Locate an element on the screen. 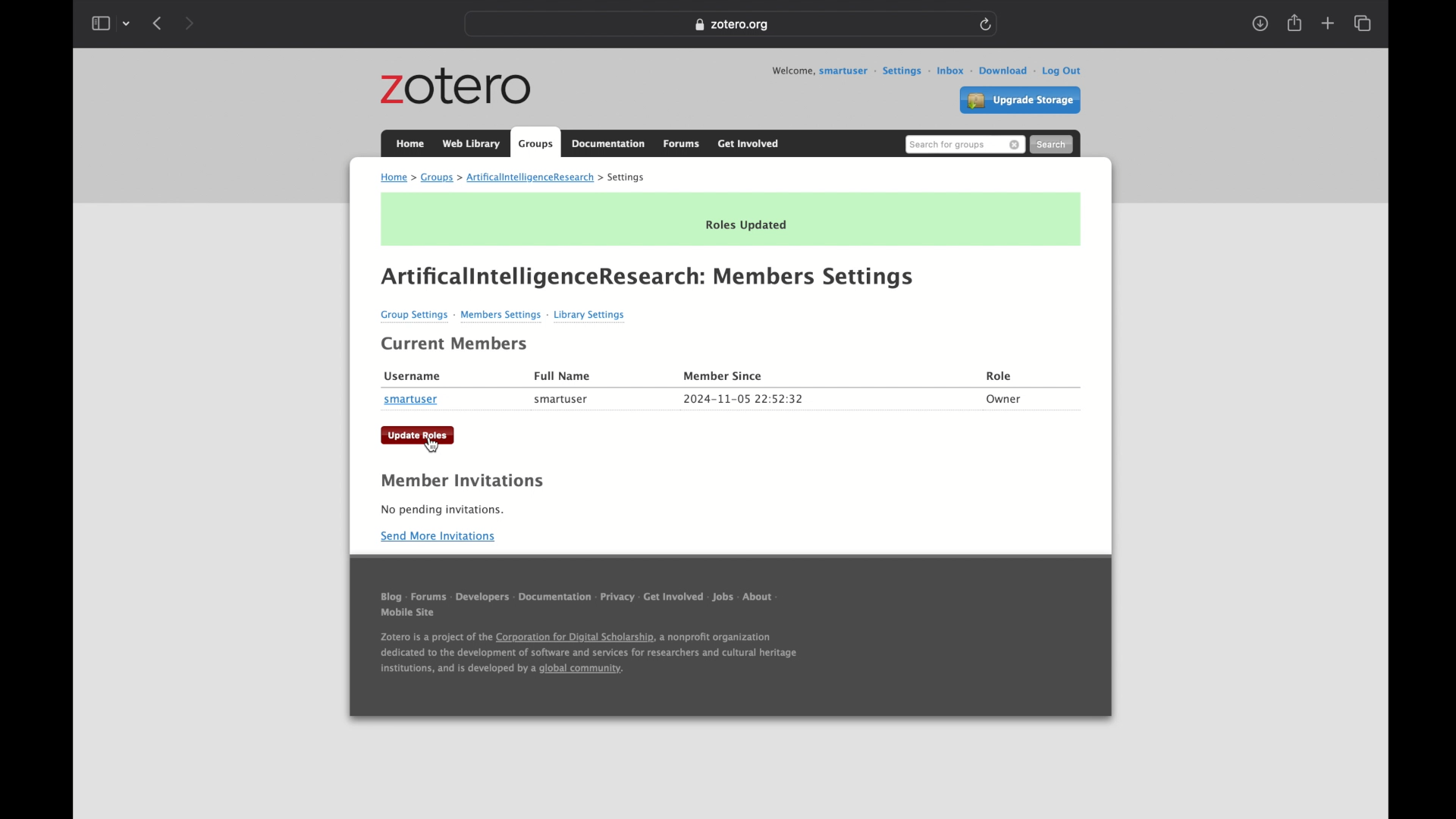  show tab overview is located at coordinates (1364, 24).